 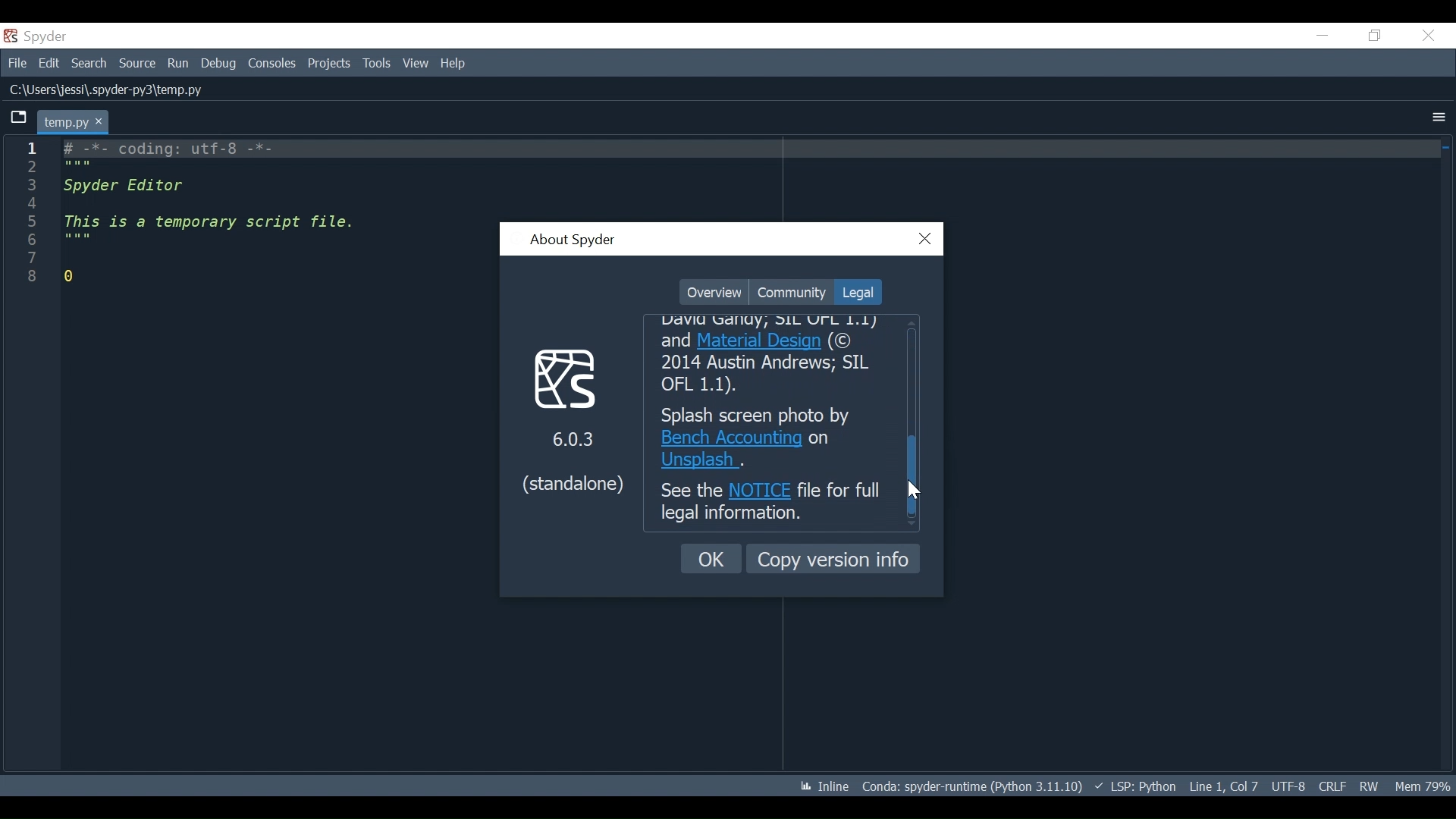 What do you see at coordinates (15, 61) in the screenshot?
I see `File` at bounding box center [15, 61].